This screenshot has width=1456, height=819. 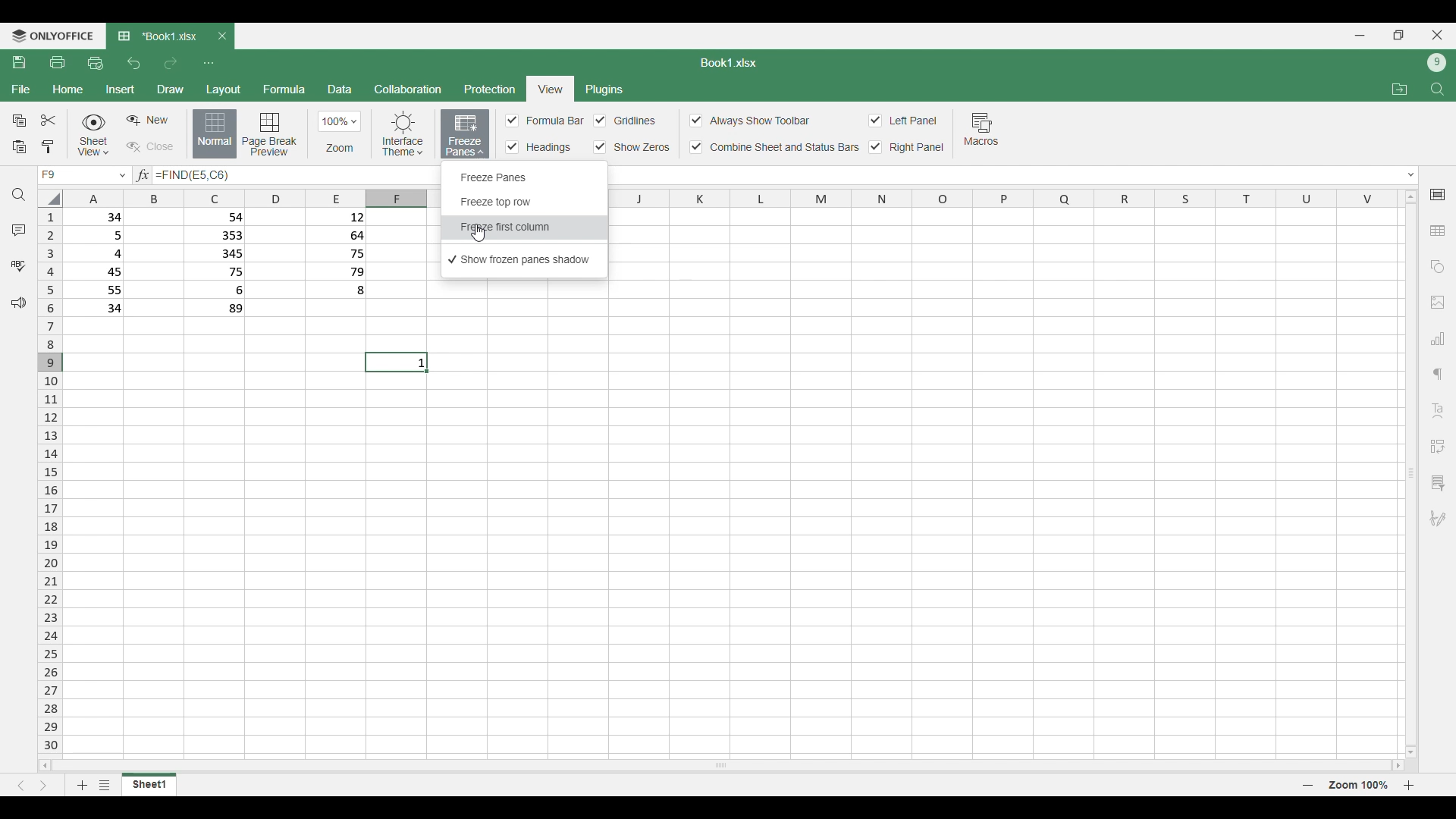 What do you see at coordinates (1439, 484) in the screenshot?
I see `Slicer` at bounding box center [1439, 484].